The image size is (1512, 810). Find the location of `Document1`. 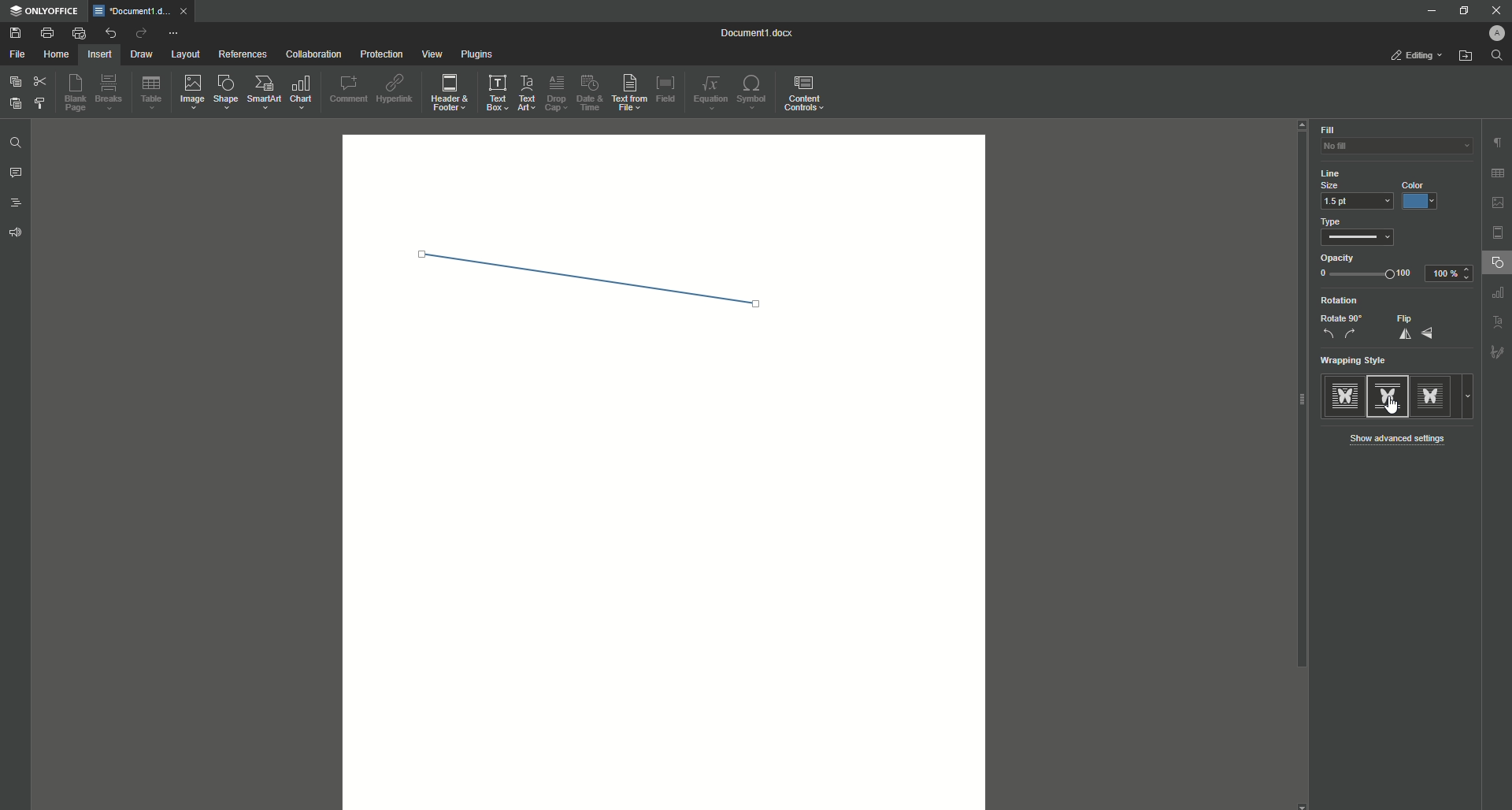

Document1 is located at coordinates (749, 32).